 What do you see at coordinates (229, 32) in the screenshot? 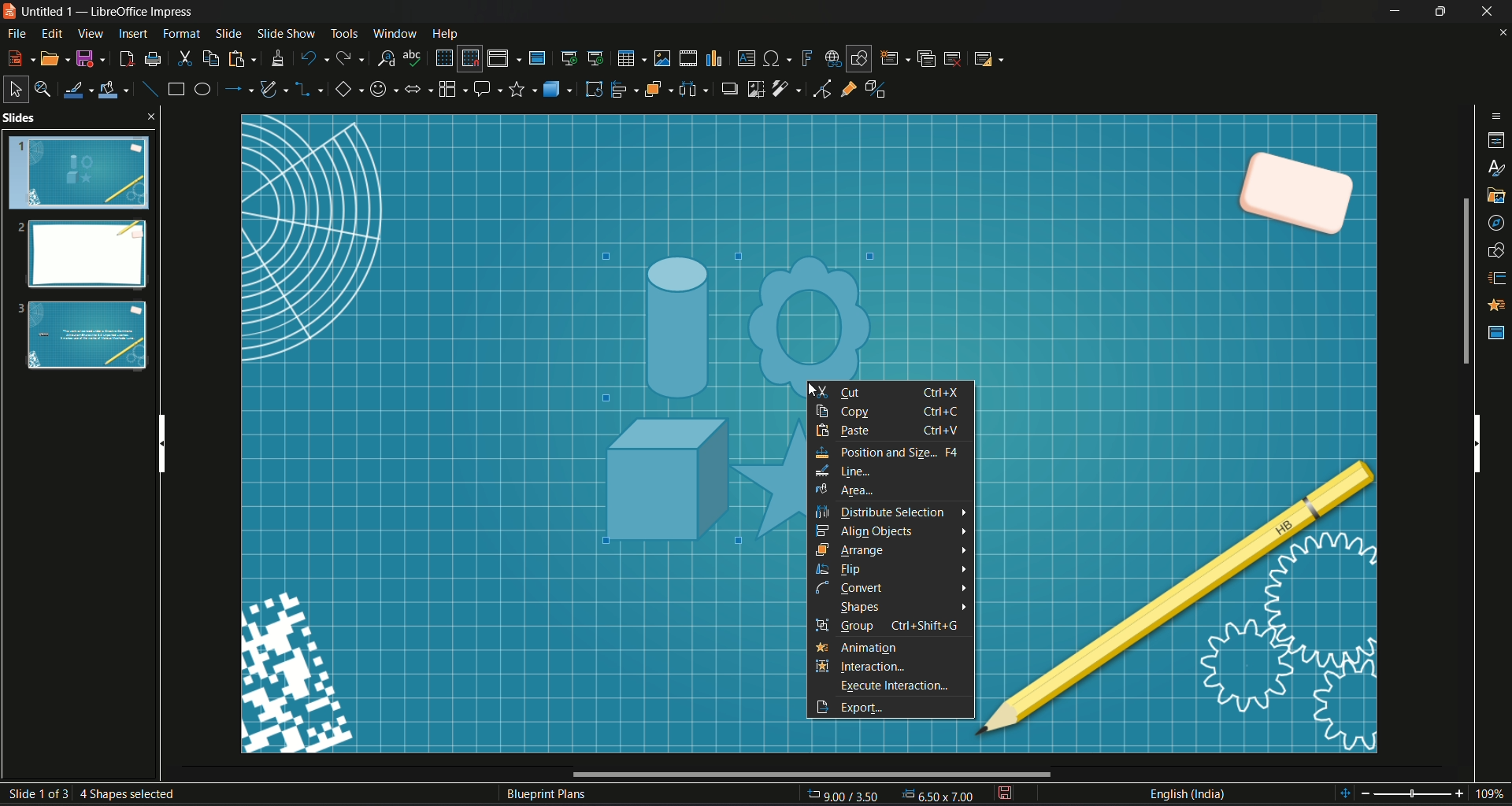
I see `slide` at bounding box center [229, 32].